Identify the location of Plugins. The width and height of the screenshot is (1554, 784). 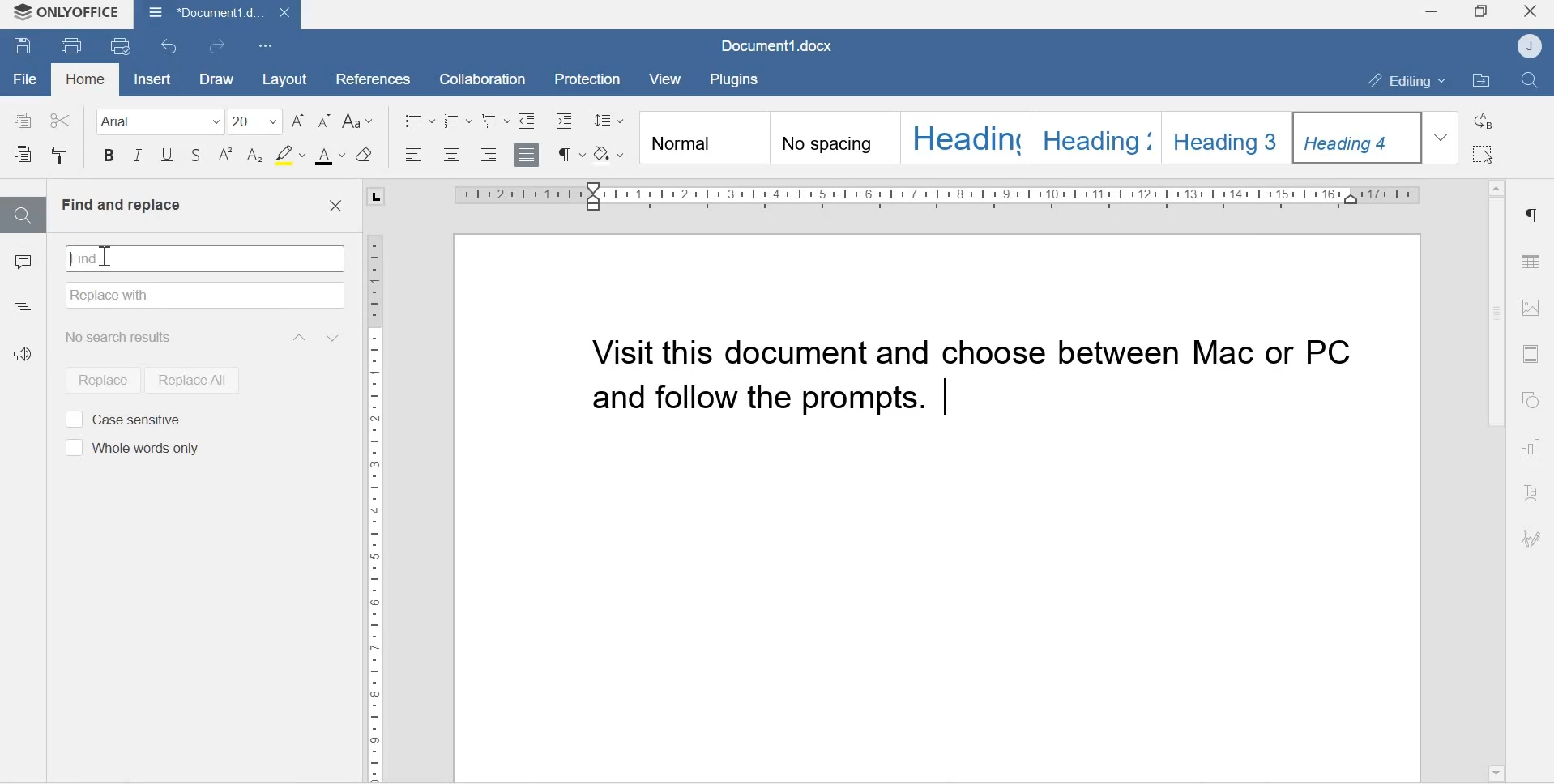
(738, 78).